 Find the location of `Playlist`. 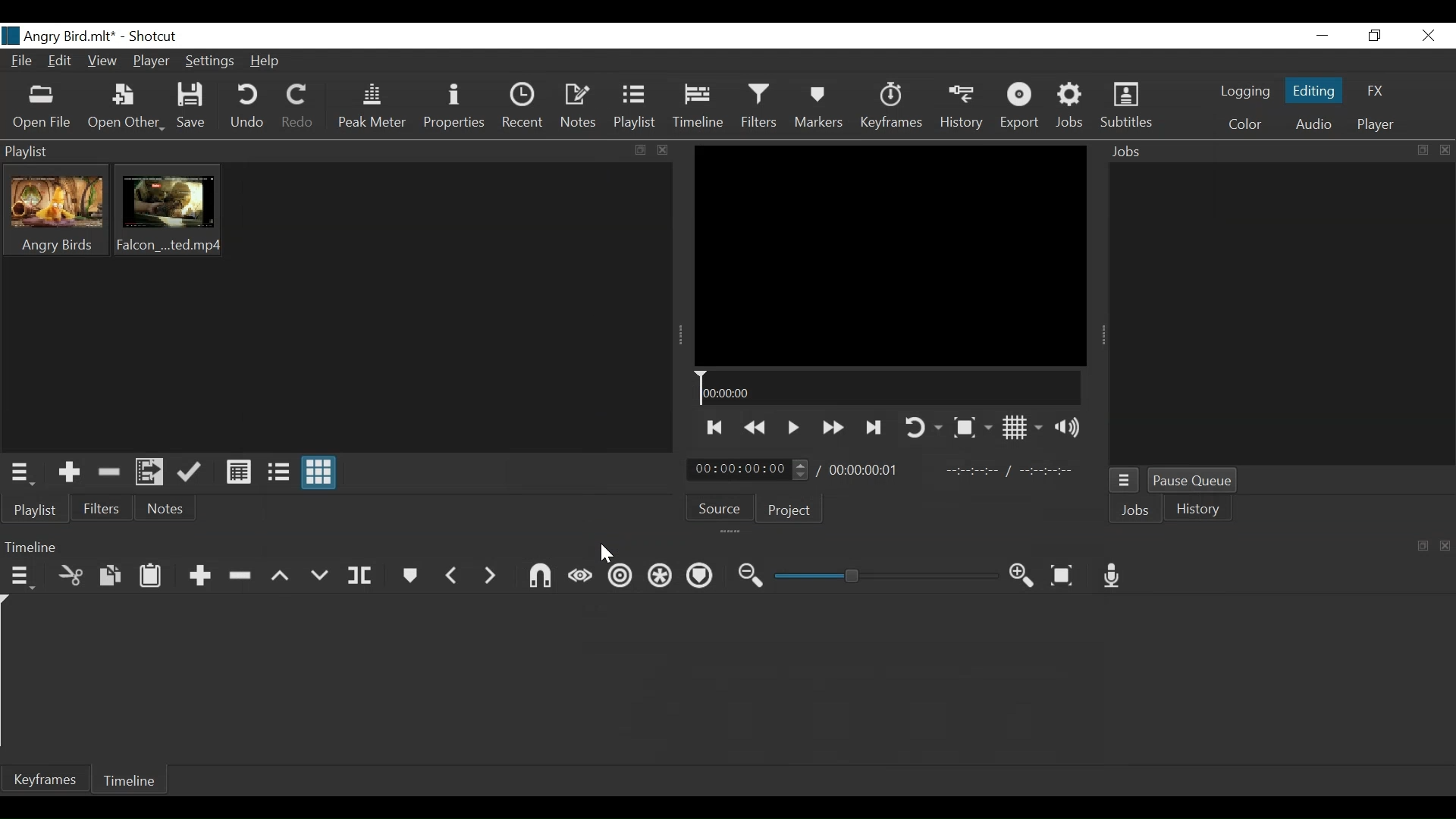

Playlist is located at coordinates (638, 108).